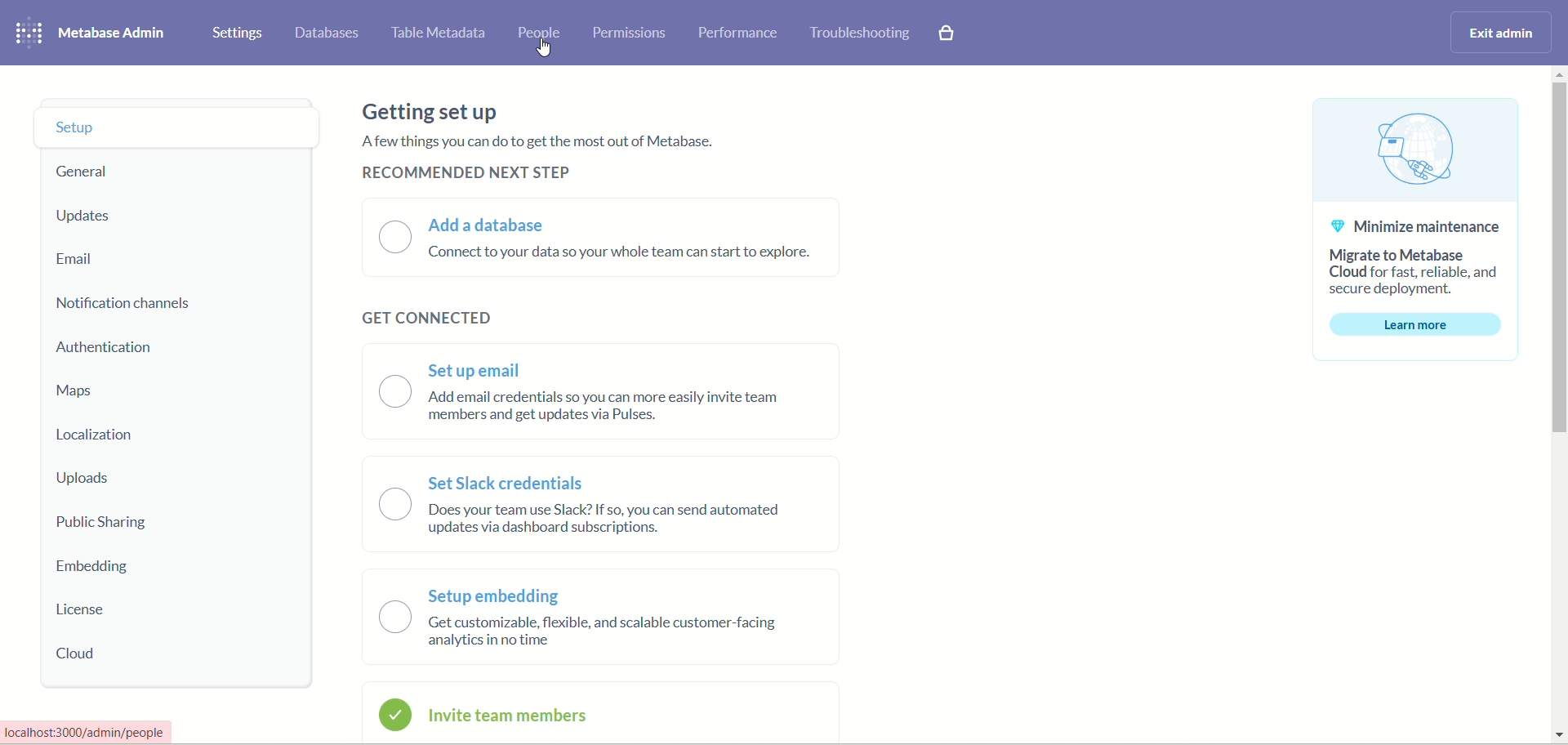 The width and height of the screenshot is (1568, 745). Describe the element at coordinates (1503, 30) in the screenshot. I see `exit admin` at that location.